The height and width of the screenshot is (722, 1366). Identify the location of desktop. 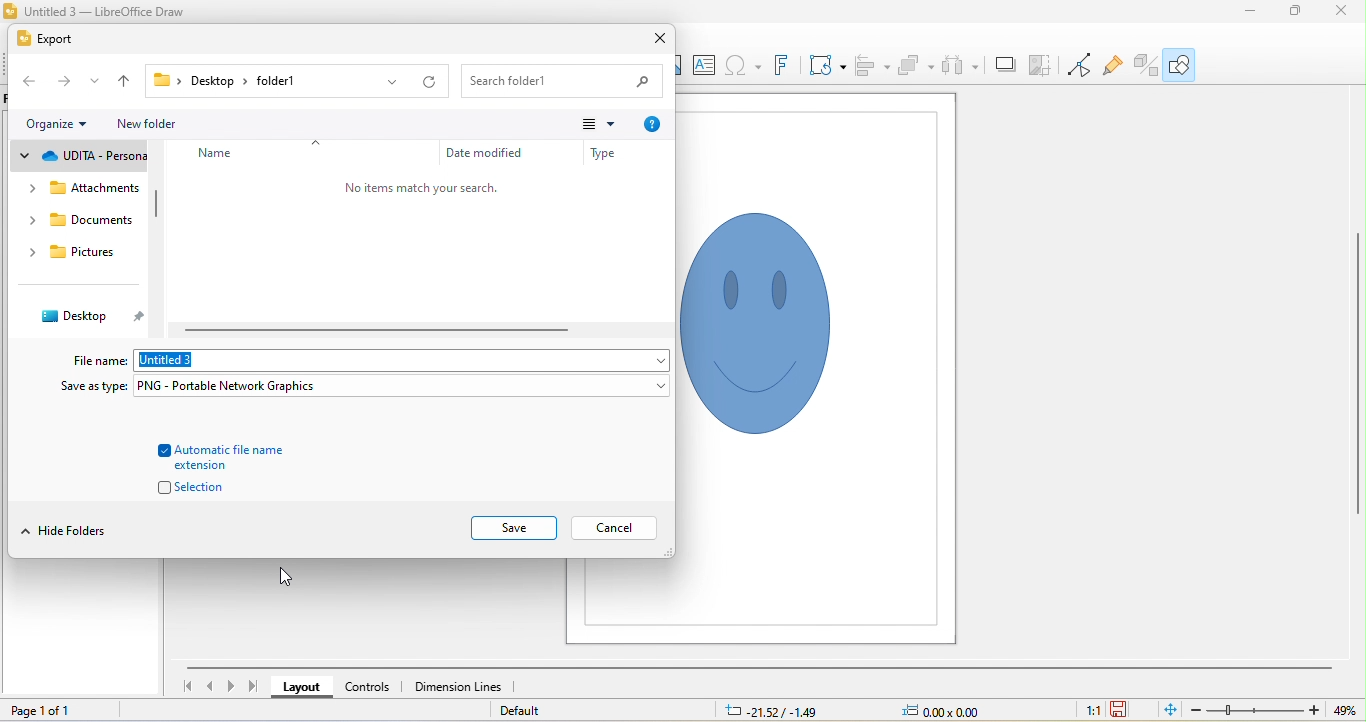
(74, 317).